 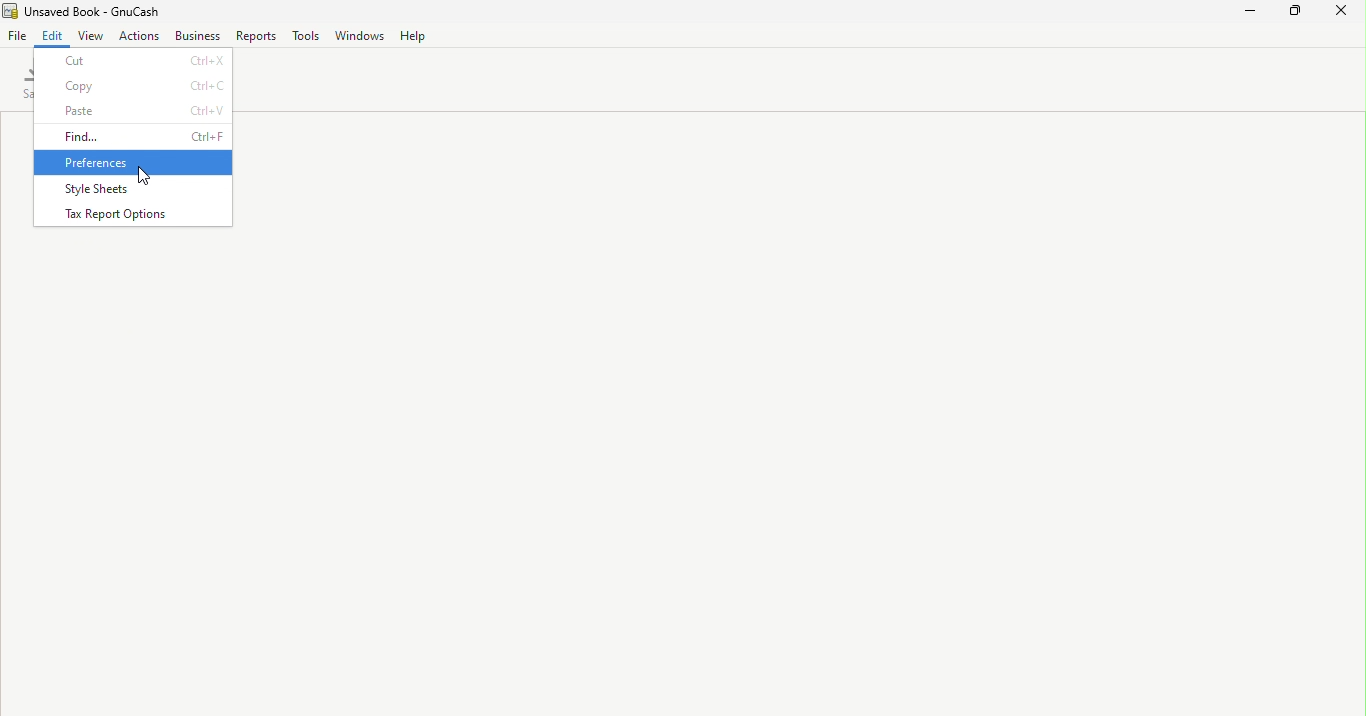 I want to click on Tax report options, so click(x=130, y=215).